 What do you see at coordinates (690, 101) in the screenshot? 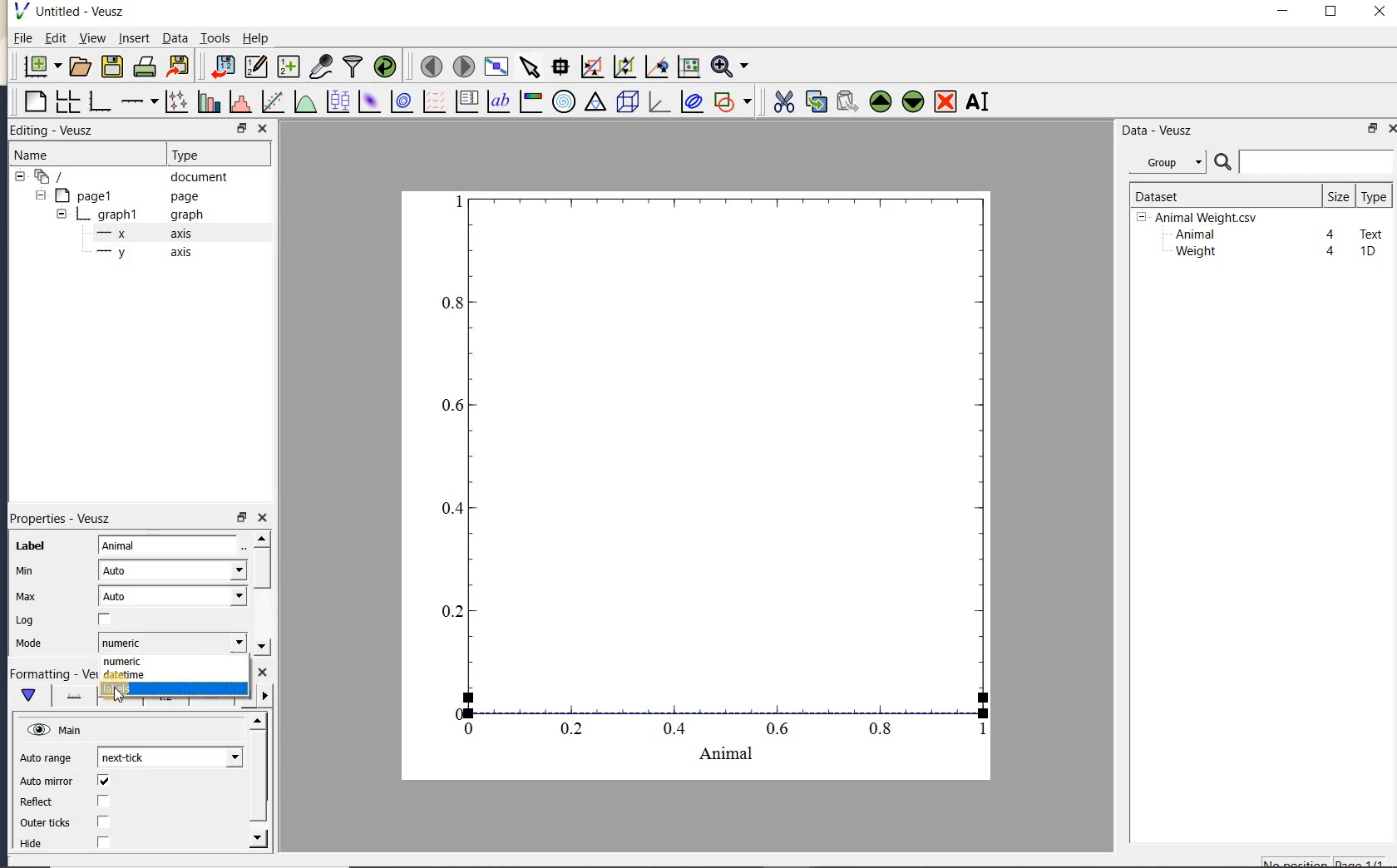
I see `plot covariance ellipses` at bounding box center [690, 101].